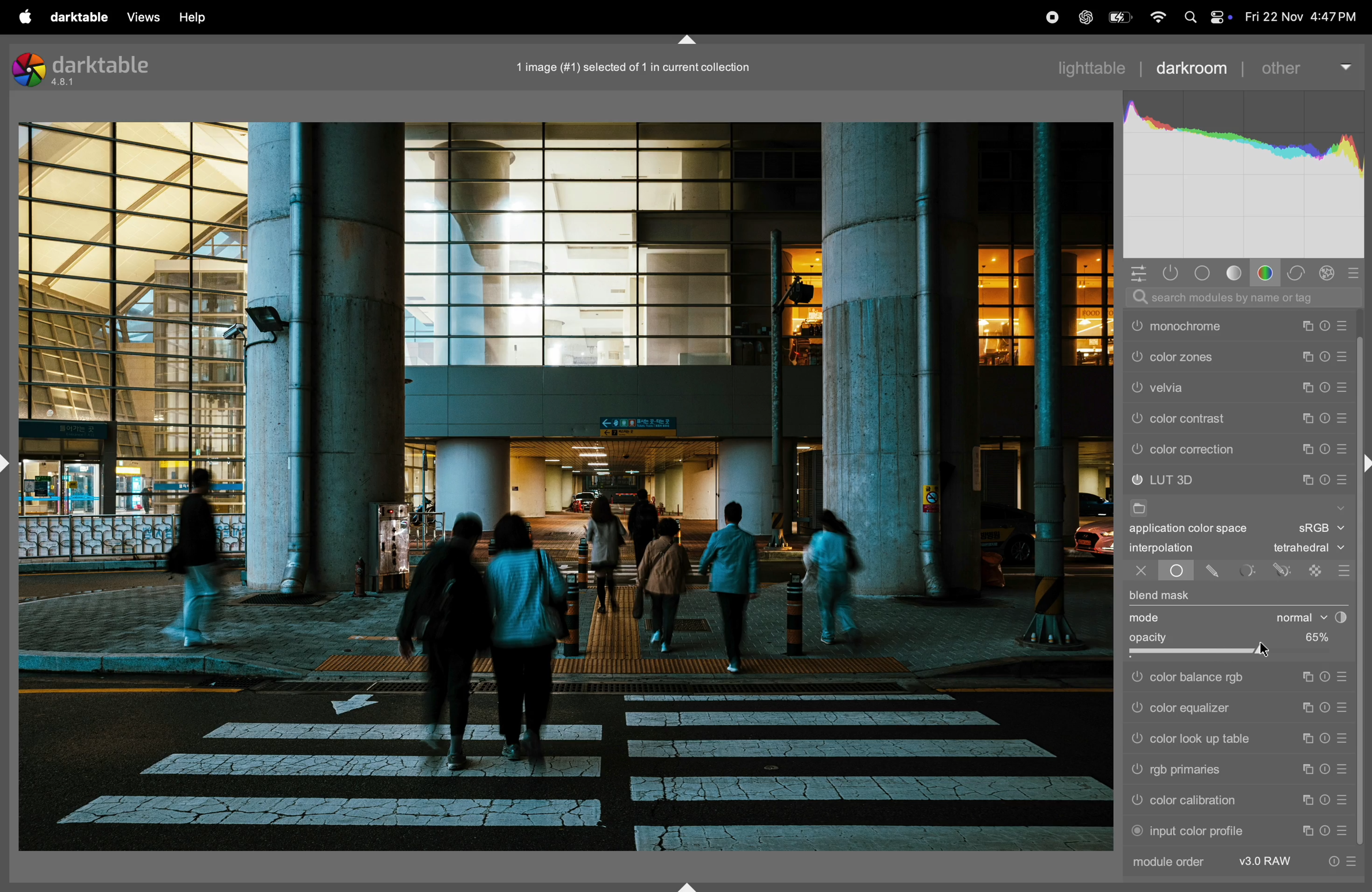  I want to click on multiple intance actions, so click(1306, 354).